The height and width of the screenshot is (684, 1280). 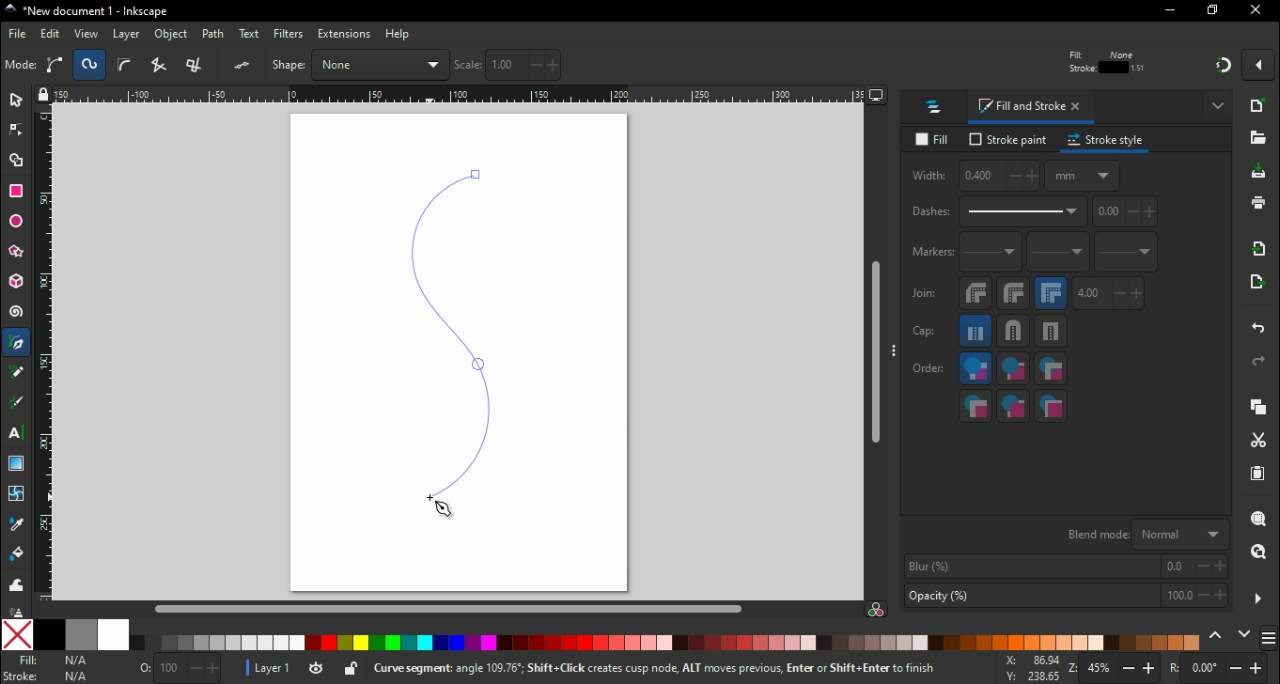 What do you see at coordinates (1015, 408) in the screenshot?
I see `stroke markers, fill` at bounding box center [1015, 408].